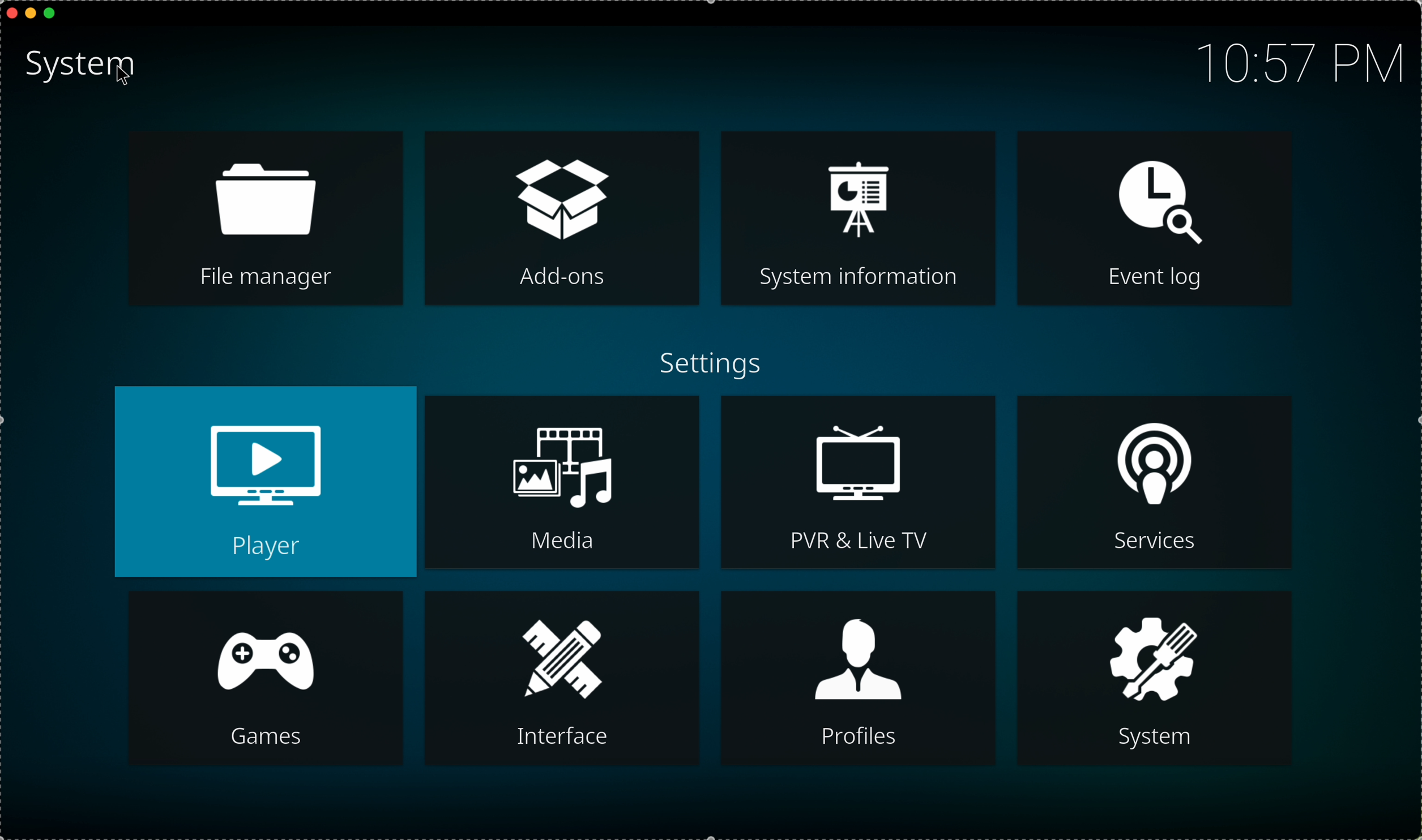  What do you see at coordinates (1159, 676) in the screenshot?
I see `system` at bounding box center [1159, 676].